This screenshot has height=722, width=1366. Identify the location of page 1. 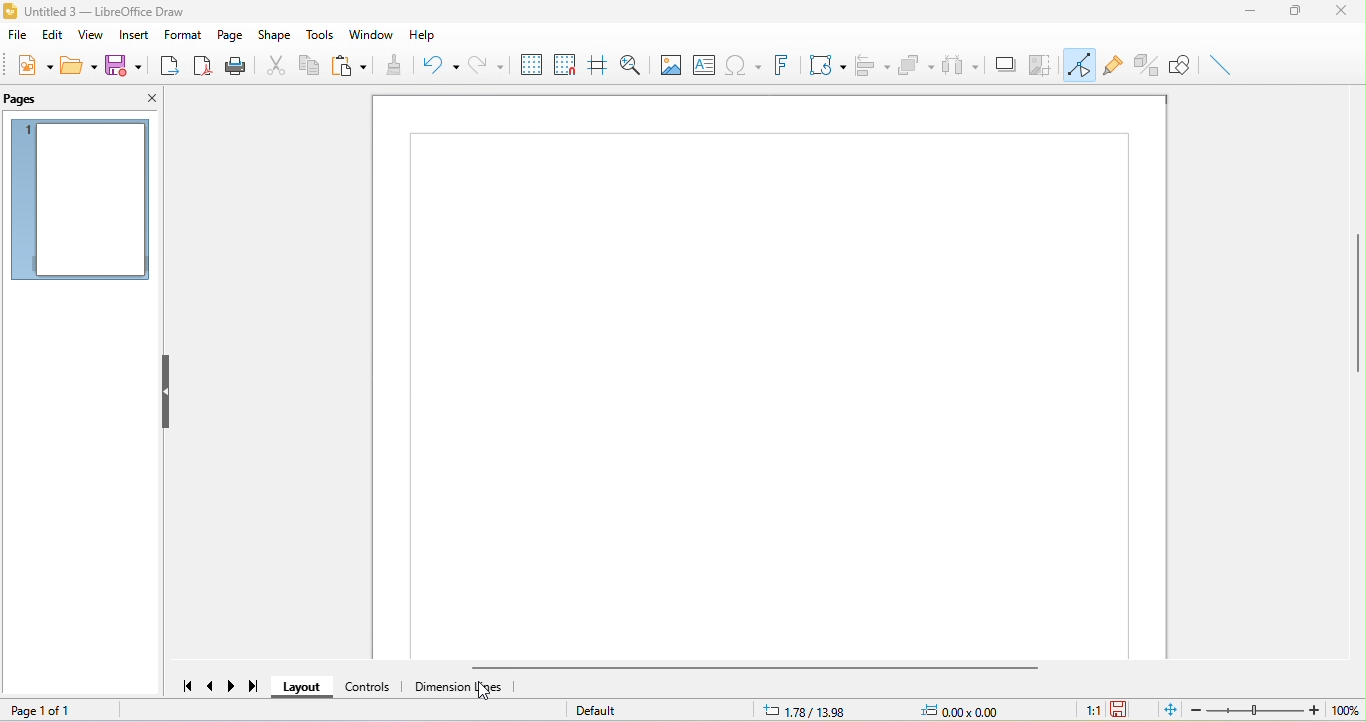
(85, 201).